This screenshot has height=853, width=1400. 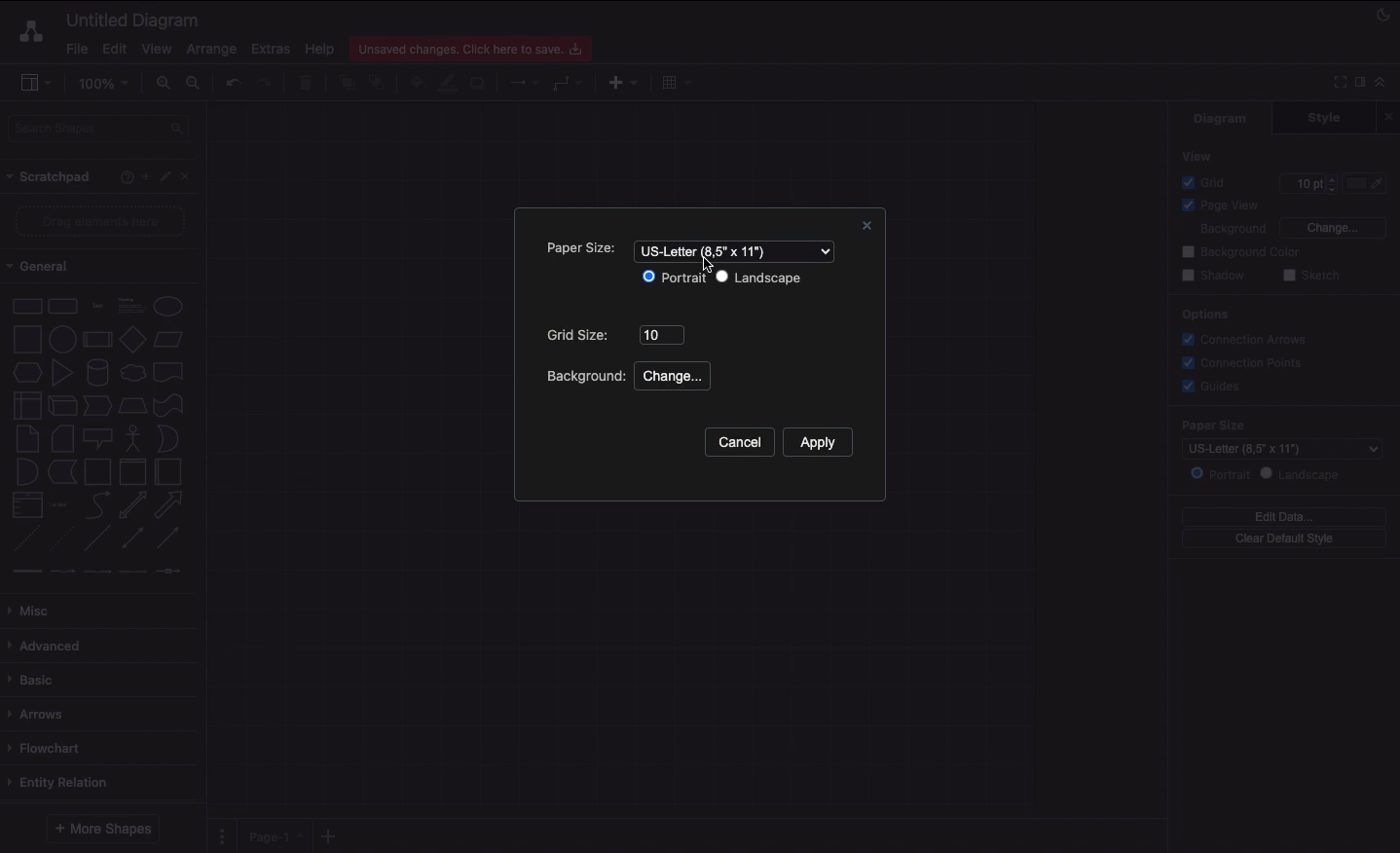 I want to click on Trash, so click(x=309, y=84).